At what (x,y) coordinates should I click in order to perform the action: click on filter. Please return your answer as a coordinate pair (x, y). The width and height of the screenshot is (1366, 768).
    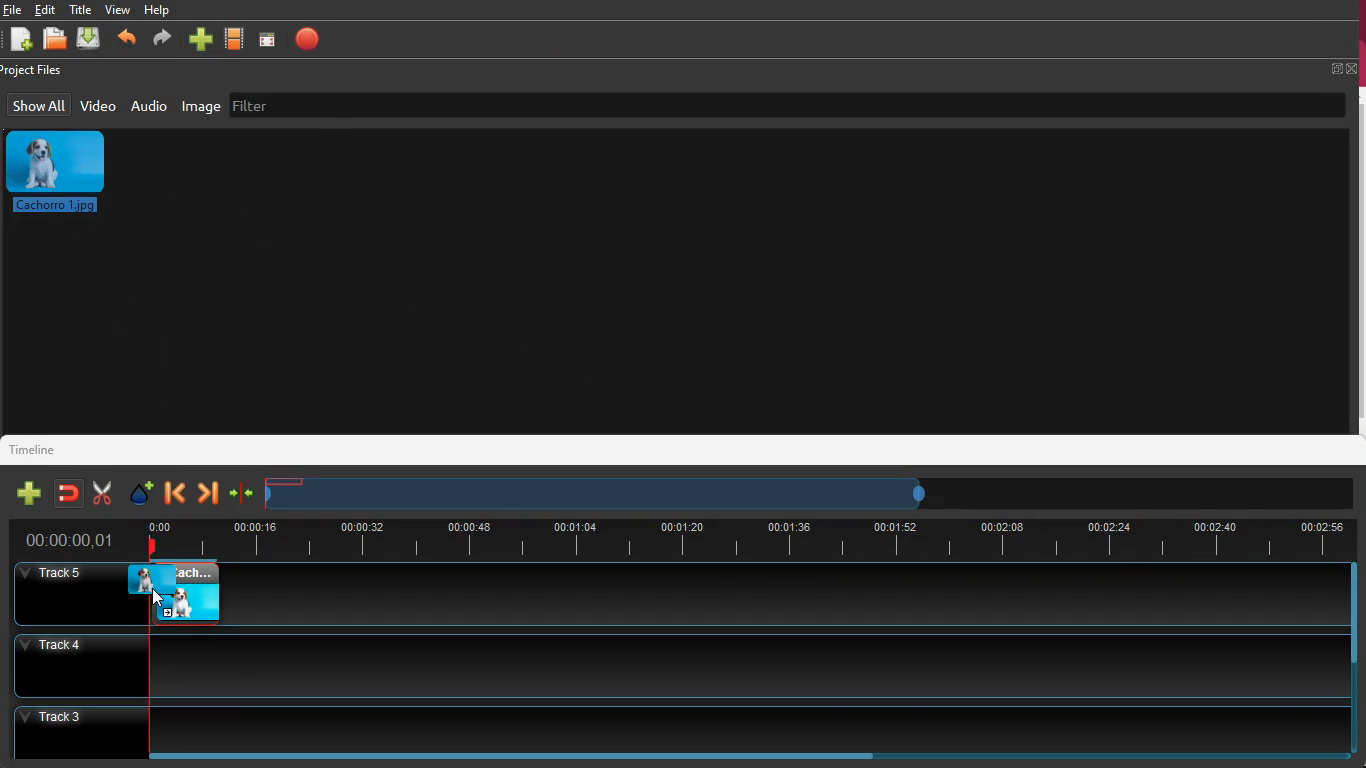
    Looking at the image, I should click on (260, 105).